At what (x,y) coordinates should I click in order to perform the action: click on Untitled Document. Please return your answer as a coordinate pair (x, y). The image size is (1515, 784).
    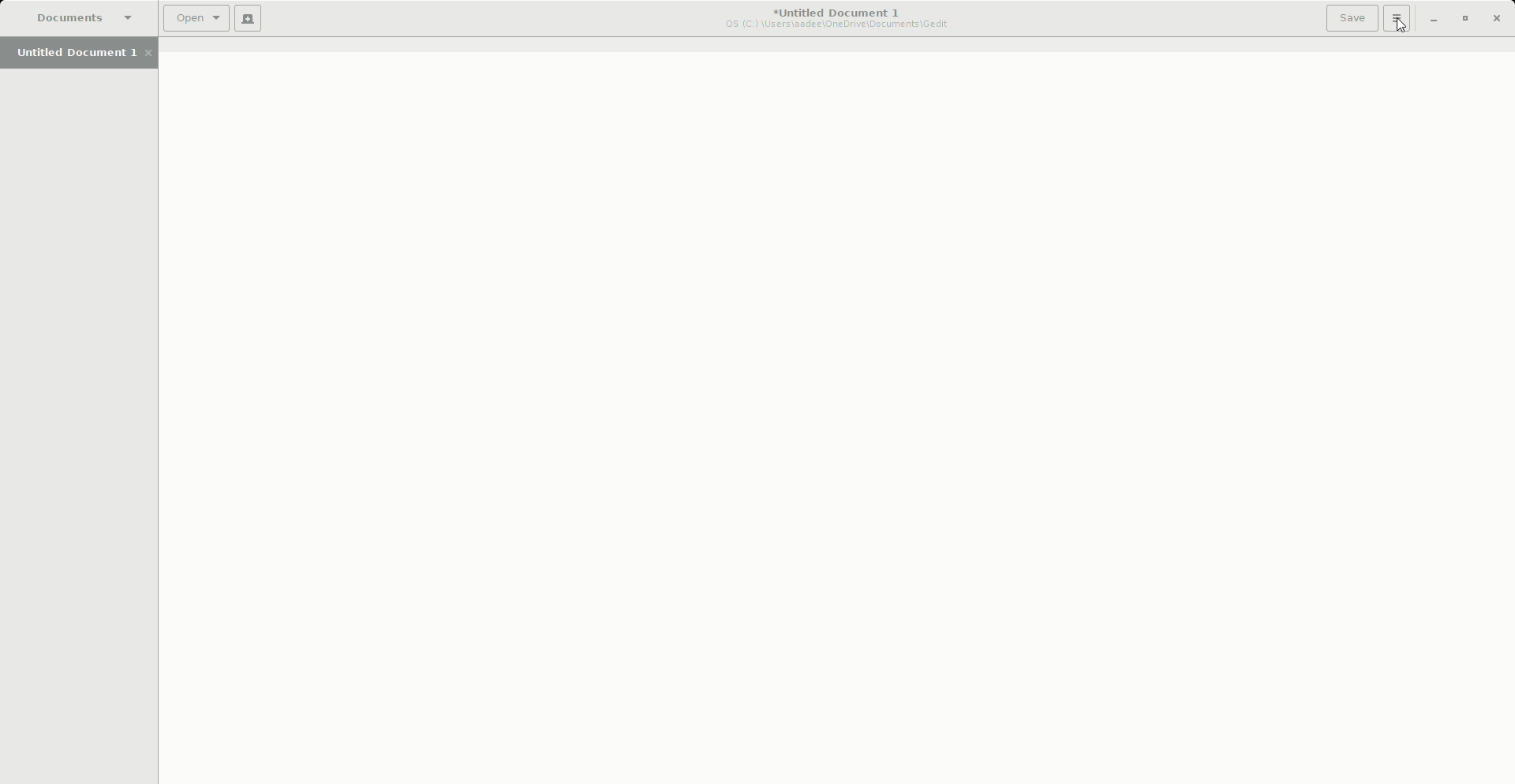
    Looking at the image, I should click on (829, 17).